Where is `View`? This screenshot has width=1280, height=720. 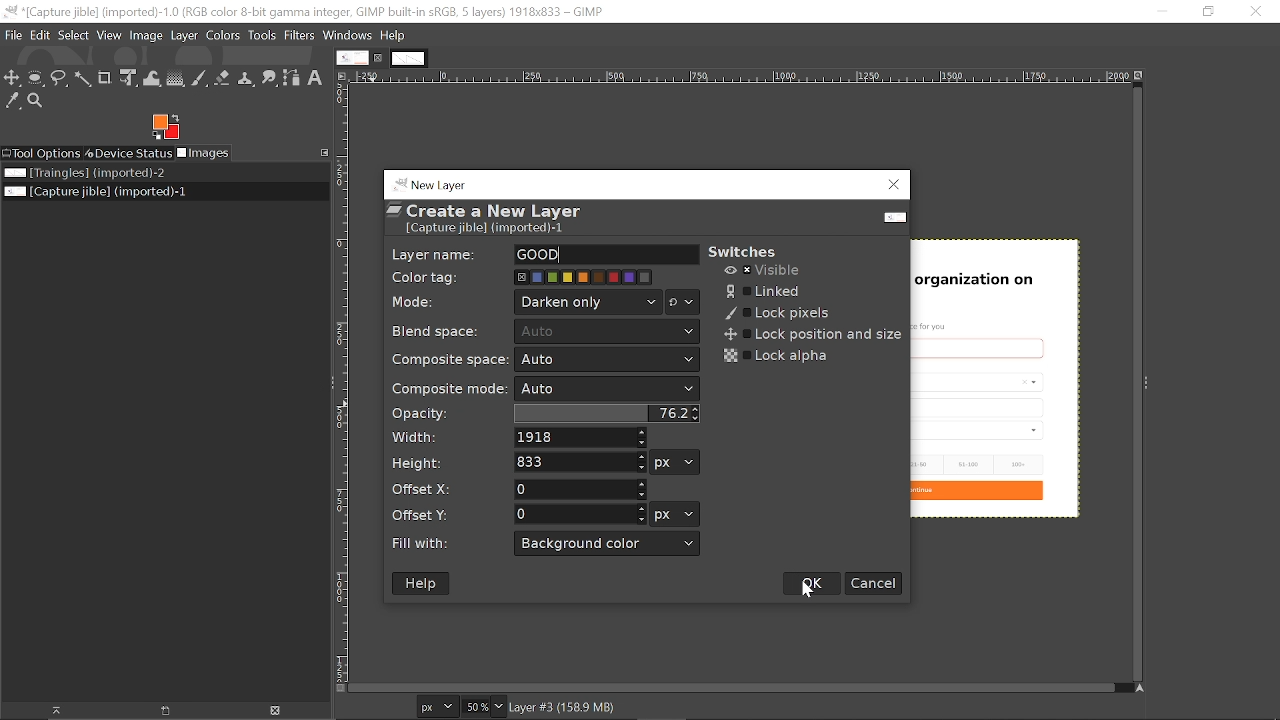
View is located at coordinates (109, 35).